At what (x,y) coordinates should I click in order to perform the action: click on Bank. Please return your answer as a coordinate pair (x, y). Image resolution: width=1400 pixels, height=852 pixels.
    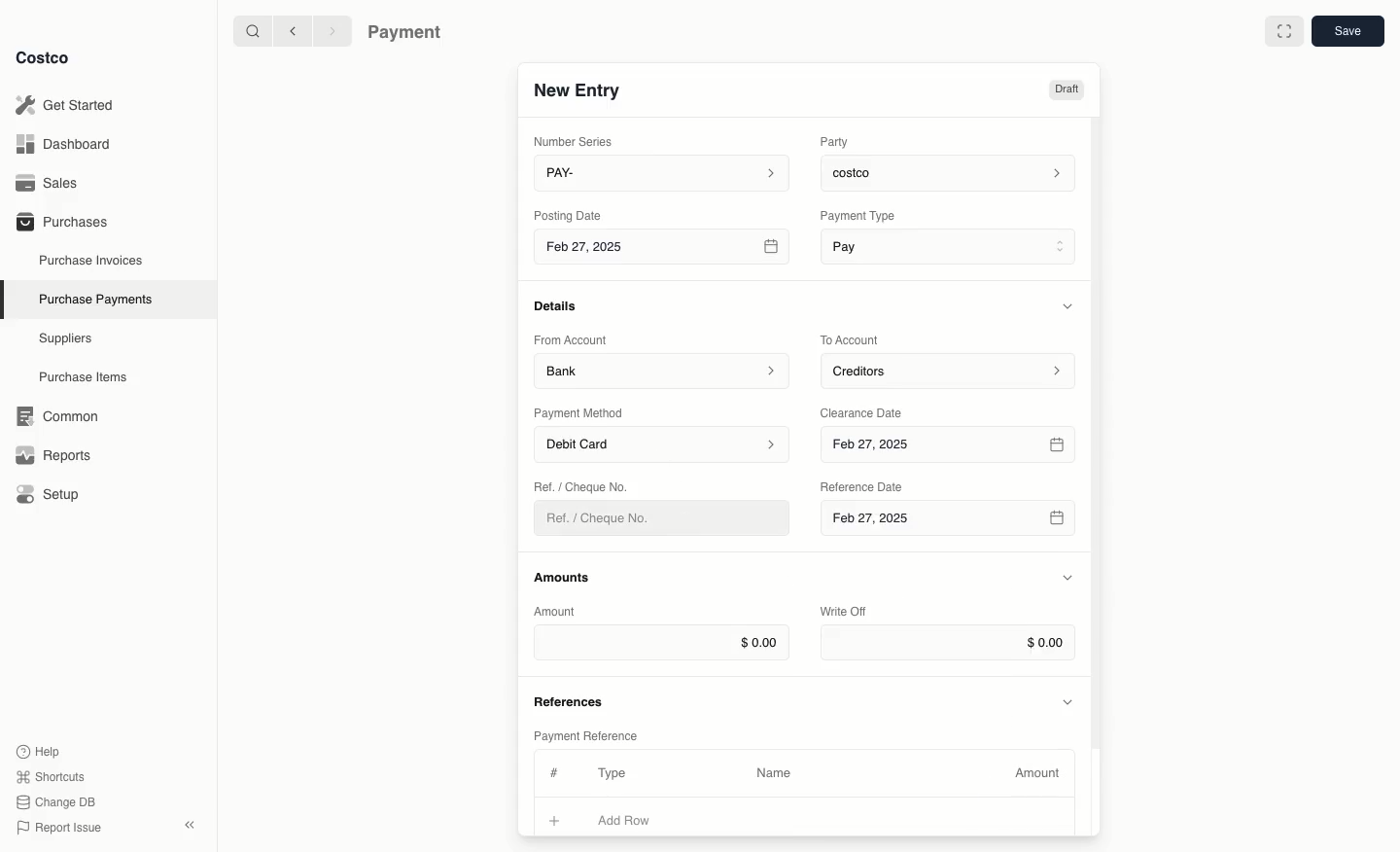
    Looking at the image, I should click on (662, 370).